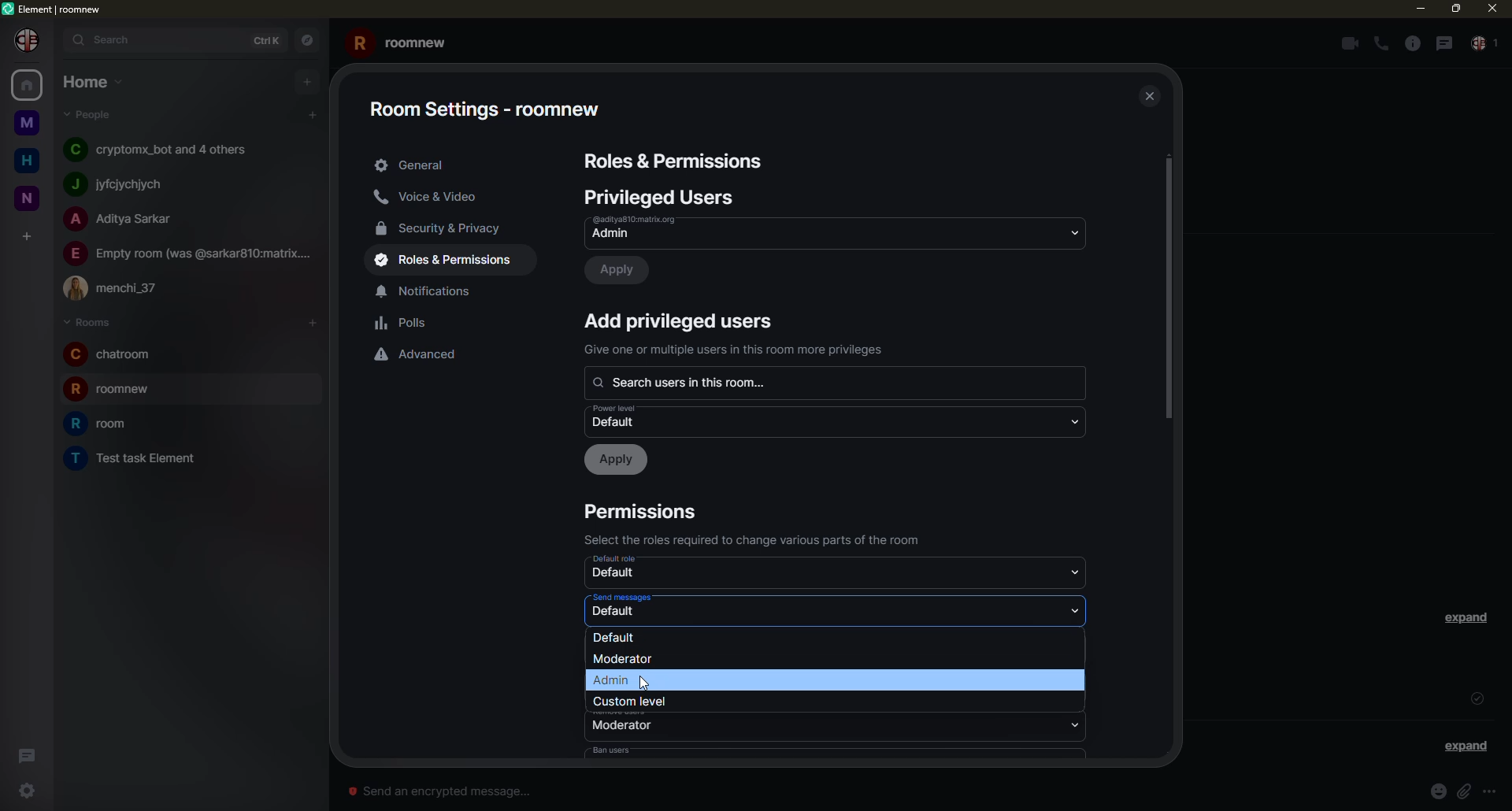 The width and height of the screenshot is (1512, 811). Describe the element at coordinates (624, 560) in the screenshot. I see `default` at that location.